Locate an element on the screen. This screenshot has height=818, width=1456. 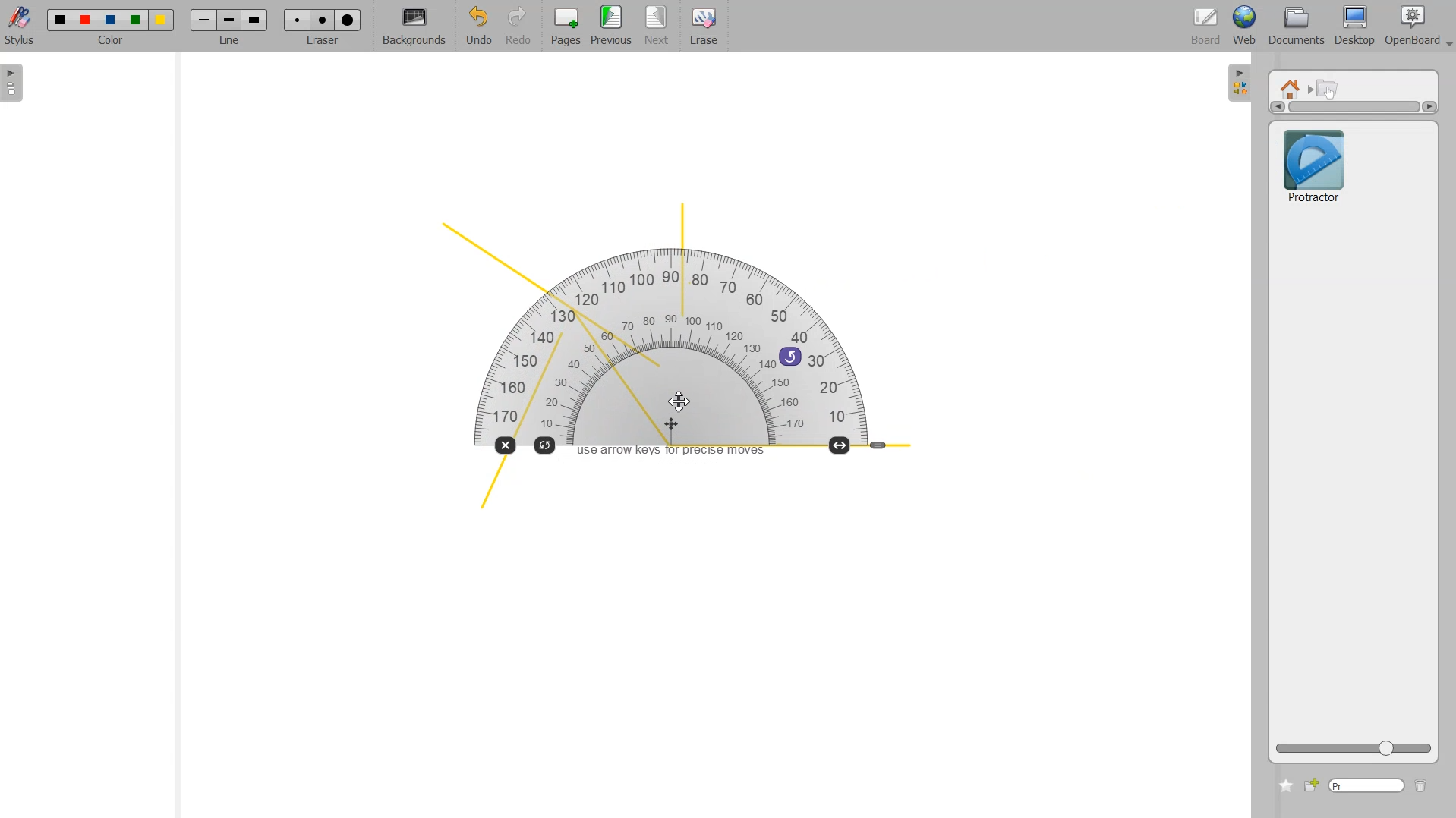
ZOOM Icon  is located at coordinates (1354, 748).